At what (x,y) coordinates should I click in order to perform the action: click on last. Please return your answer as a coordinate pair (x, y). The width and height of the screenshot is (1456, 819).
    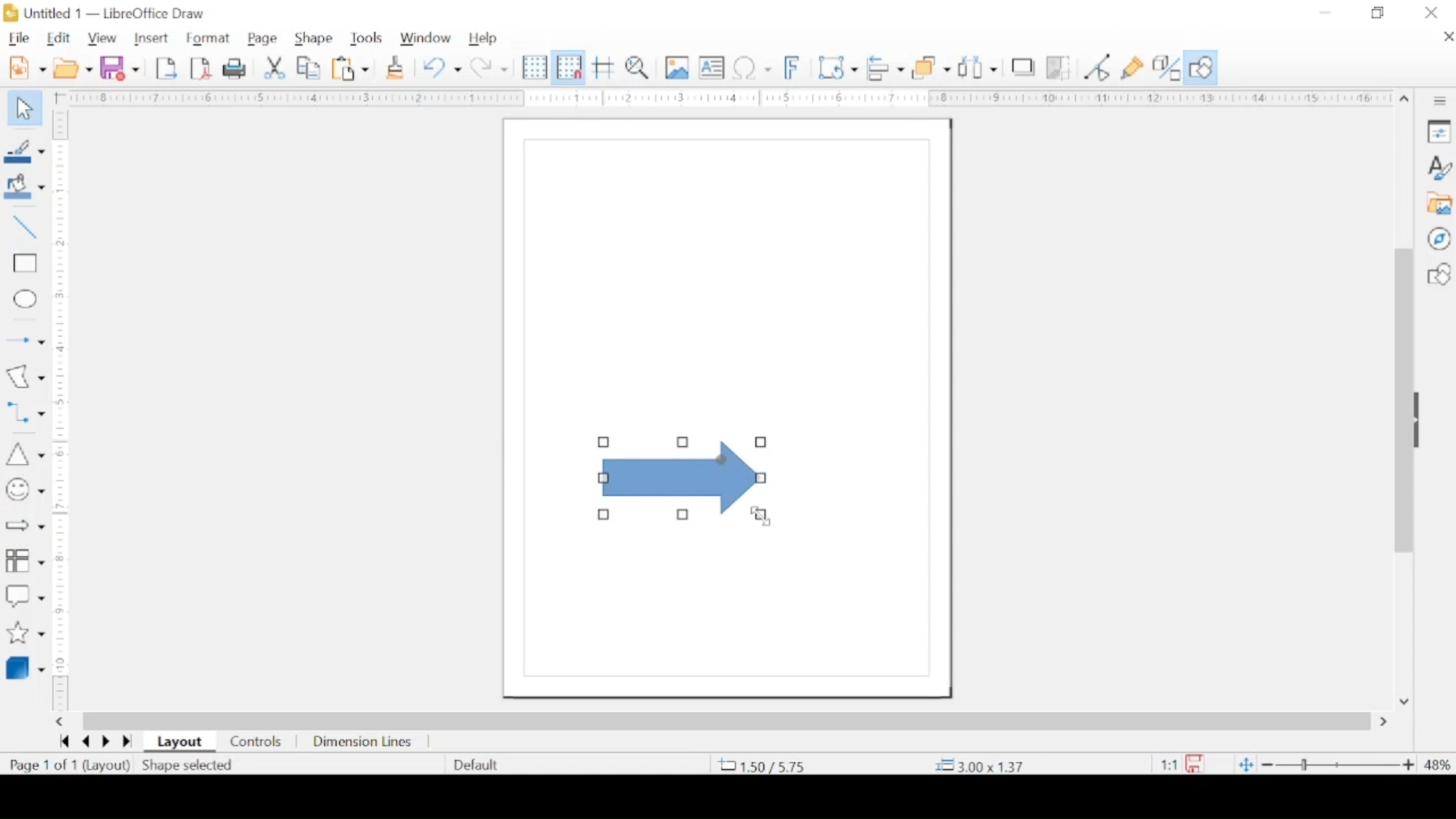
    Looking at the image, I should click on (127, 742).